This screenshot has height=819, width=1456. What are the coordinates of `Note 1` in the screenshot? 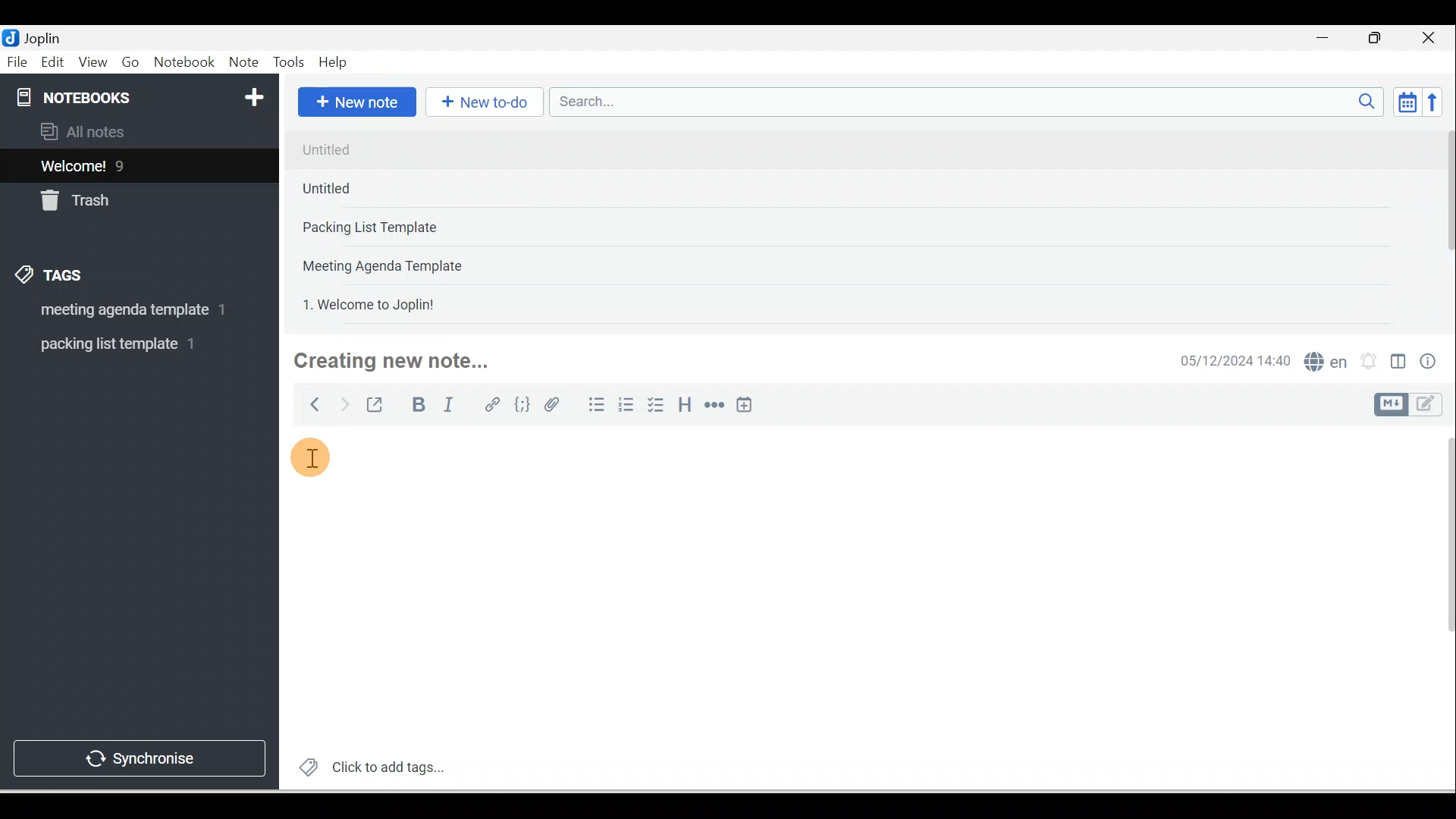 It's located at (416, 149).